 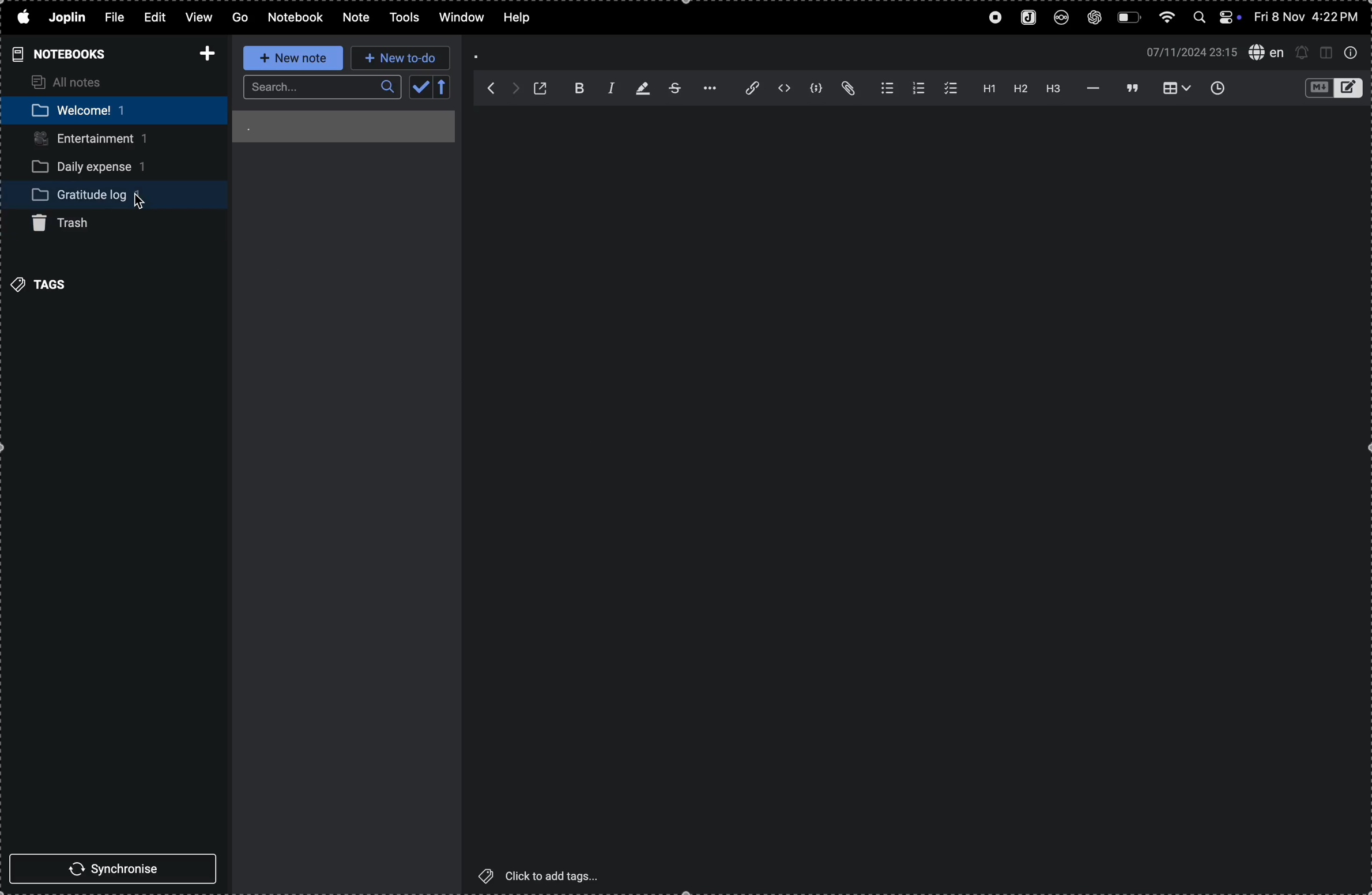 I want to click on Cursor, so click(x=138, y=202).